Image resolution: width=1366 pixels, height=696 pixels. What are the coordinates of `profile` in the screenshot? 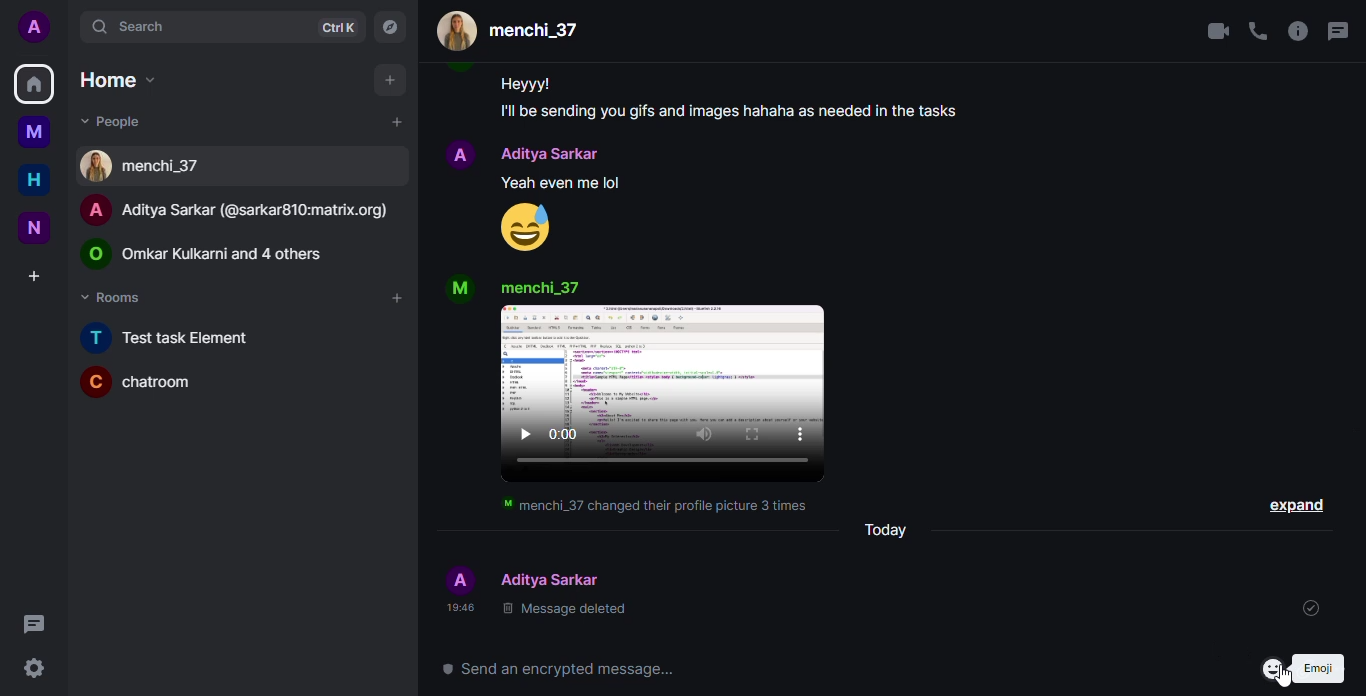 It's located at (460, 151).